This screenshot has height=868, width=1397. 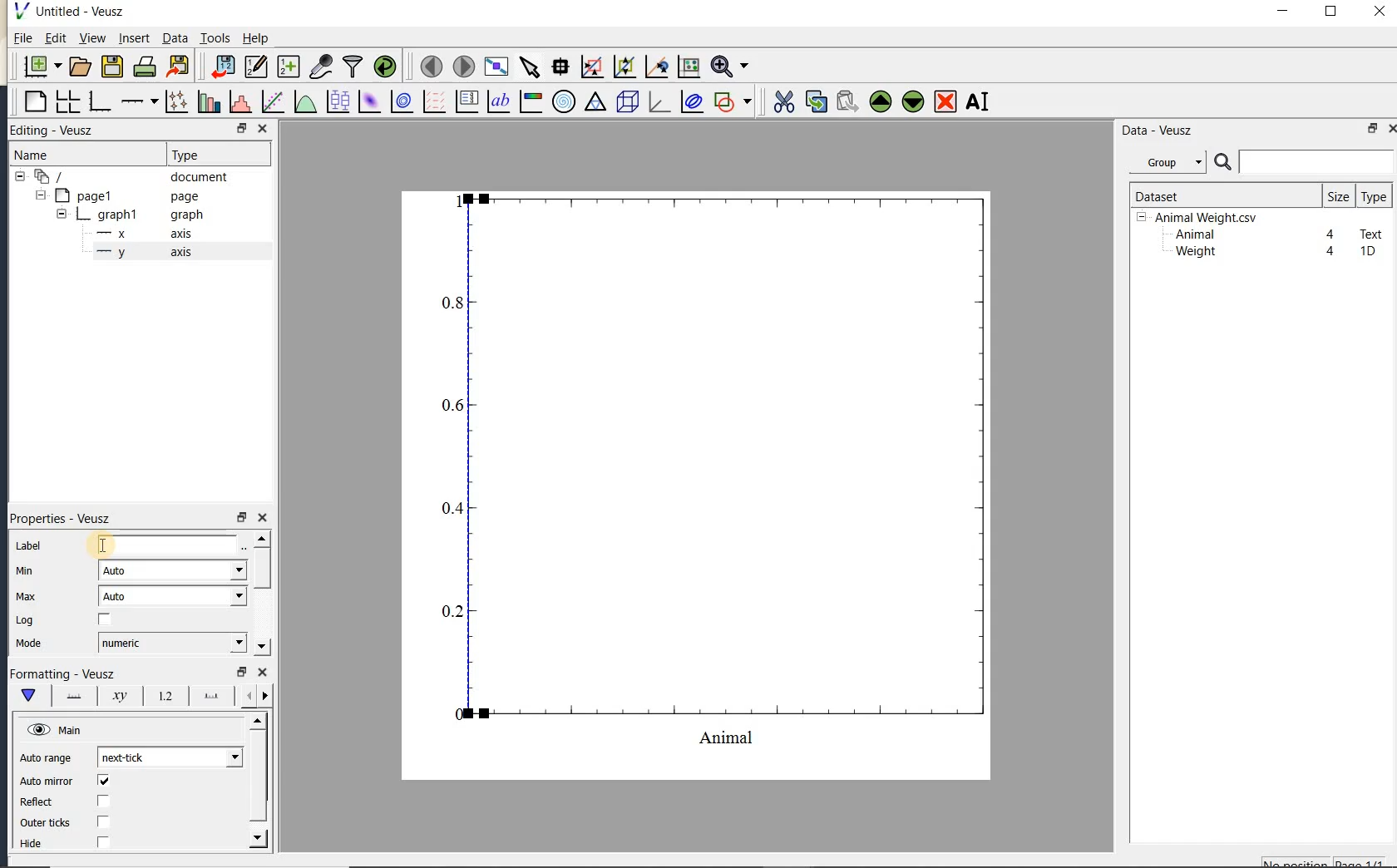 What do you see at coordinates (263, 673) in the screenshot?
I see `close` at bounding box center [263, 673].